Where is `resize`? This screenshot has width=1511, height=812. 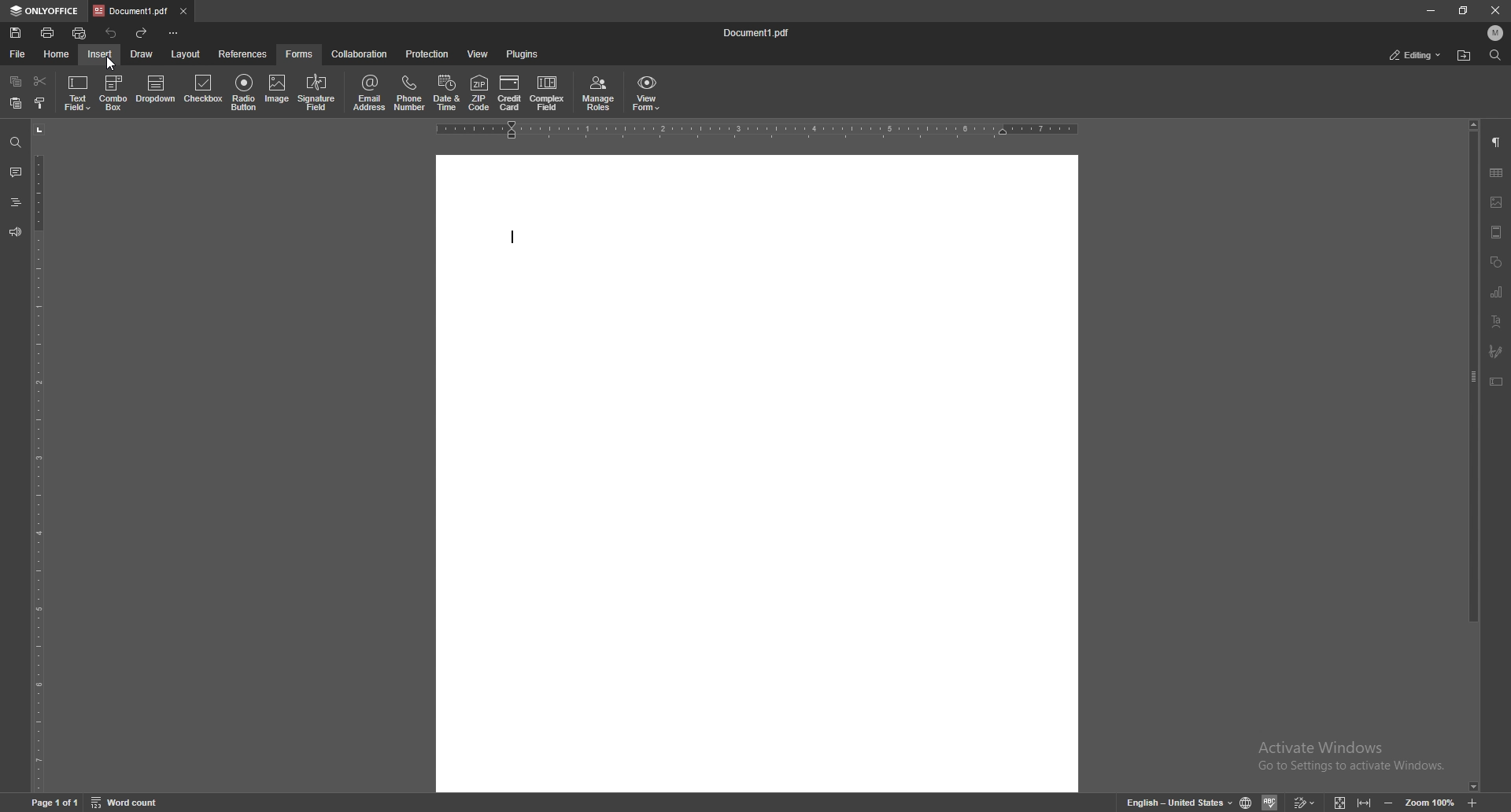 resize is located at coordinates (1466, 9).